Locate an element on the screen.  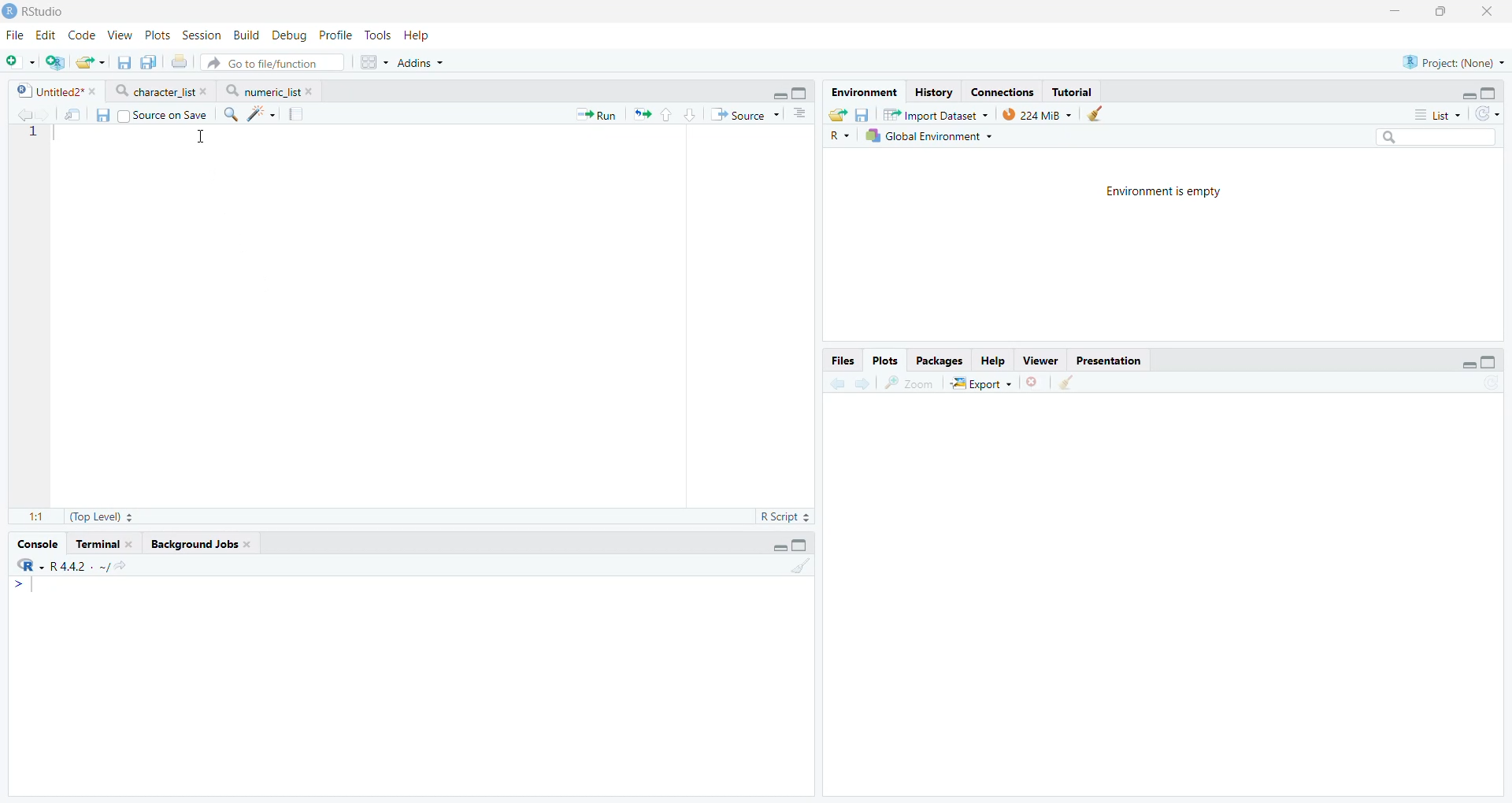
Presentation is located at coordinates (1108, 361).